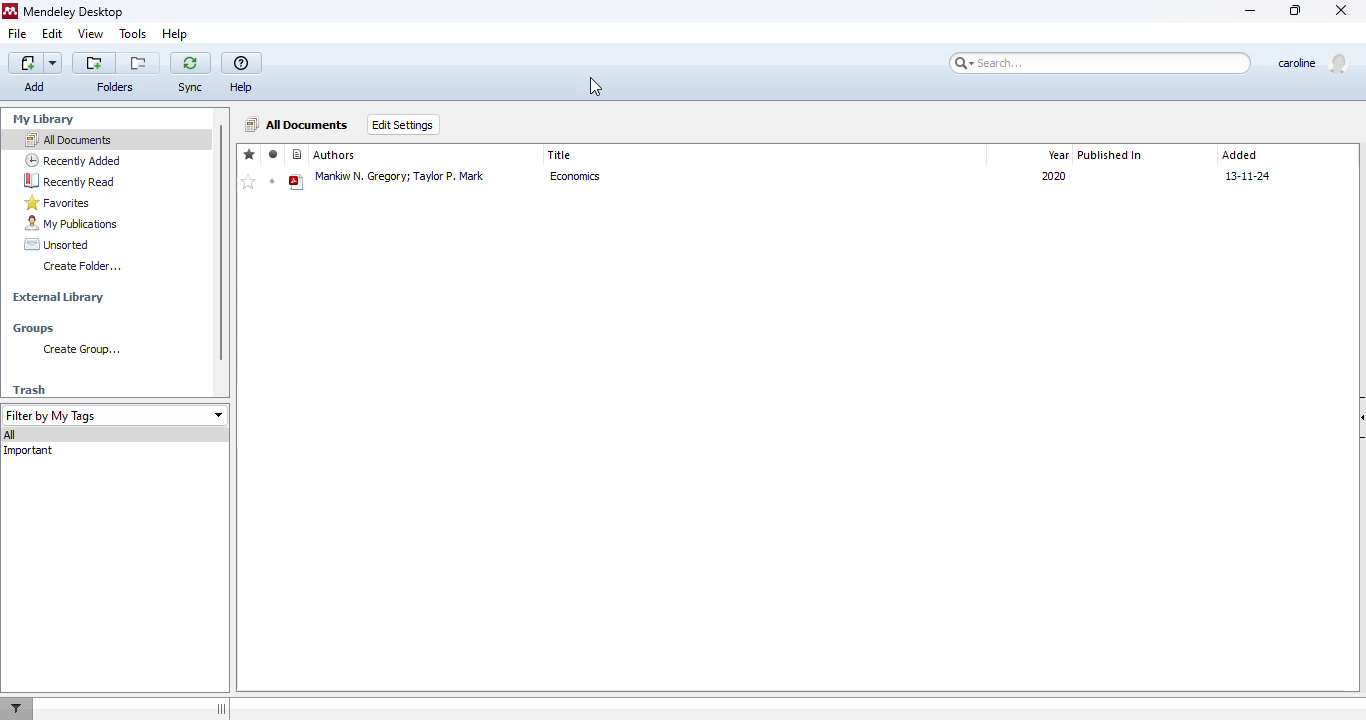  Describe the element at coordinates (133, 33) in the screenshot. I see `tools` at that location.